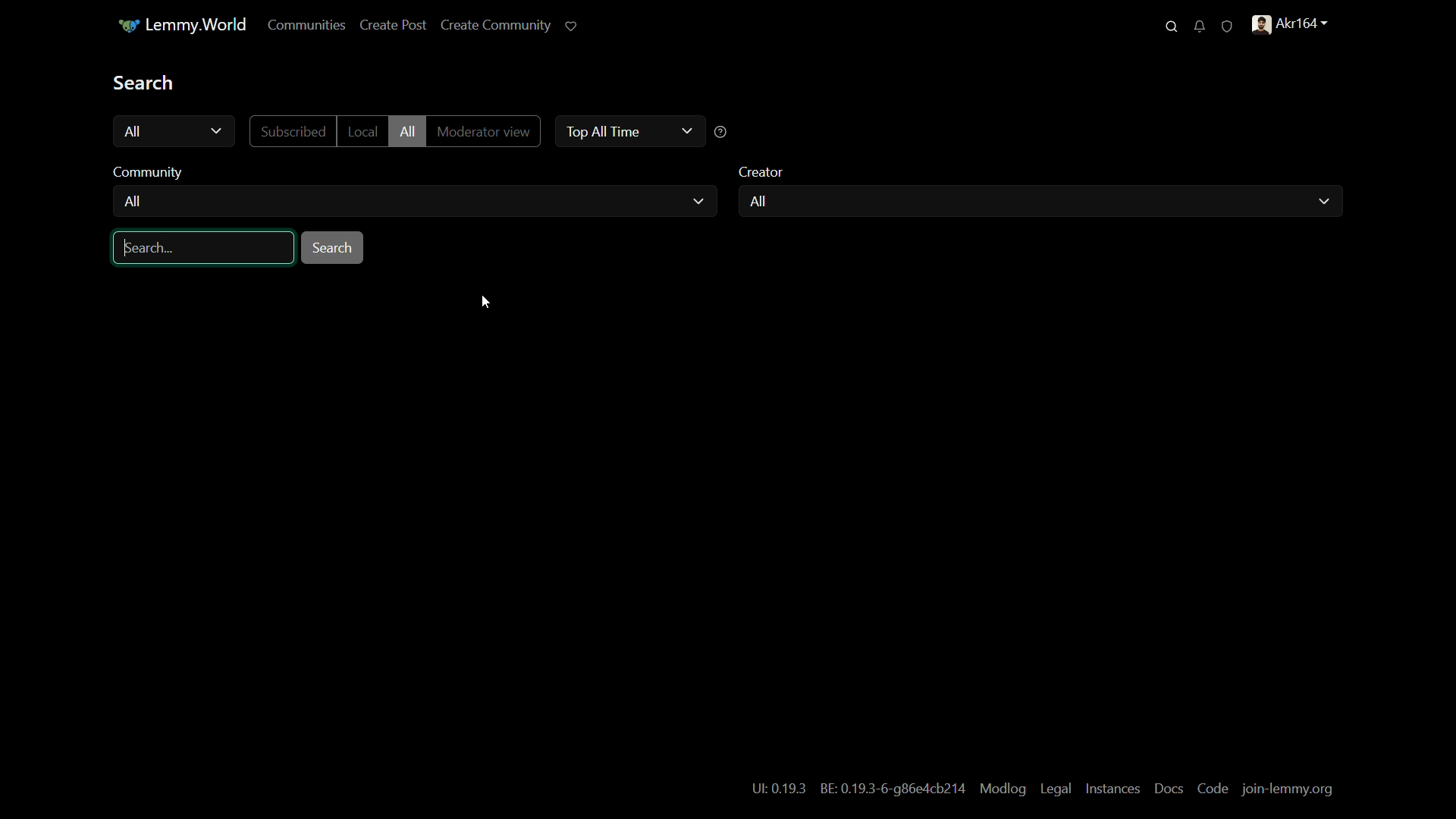 Image resolution: width=1456 pixels, height=819 pixels. What do you see at coordinates (482, 133) in the screenshot?
I see `moderator view` at bounding box center [482, 133].